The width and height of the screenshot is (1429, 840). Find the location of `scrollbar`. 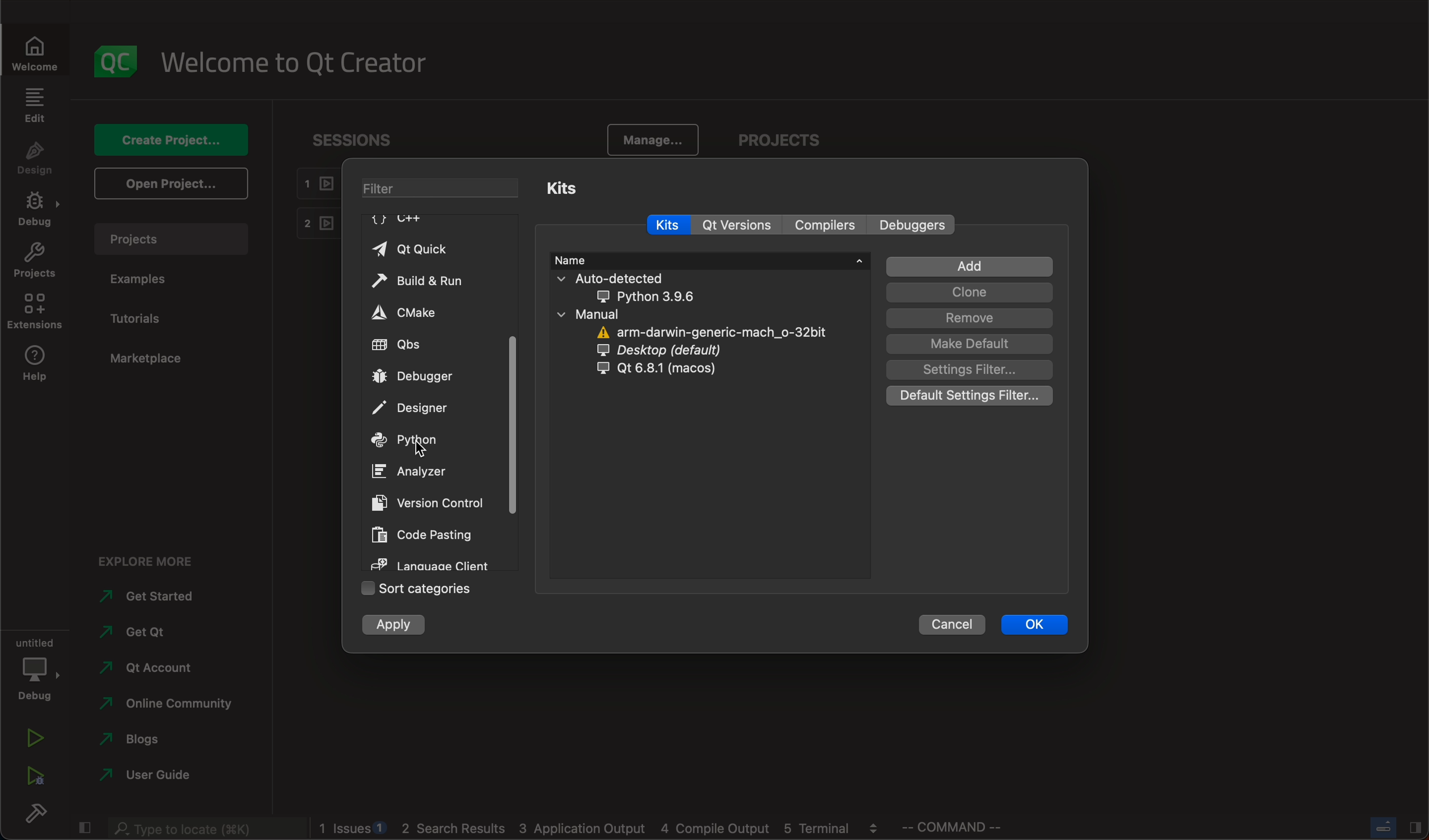

scrollbar is located at coordinates (511, 394).